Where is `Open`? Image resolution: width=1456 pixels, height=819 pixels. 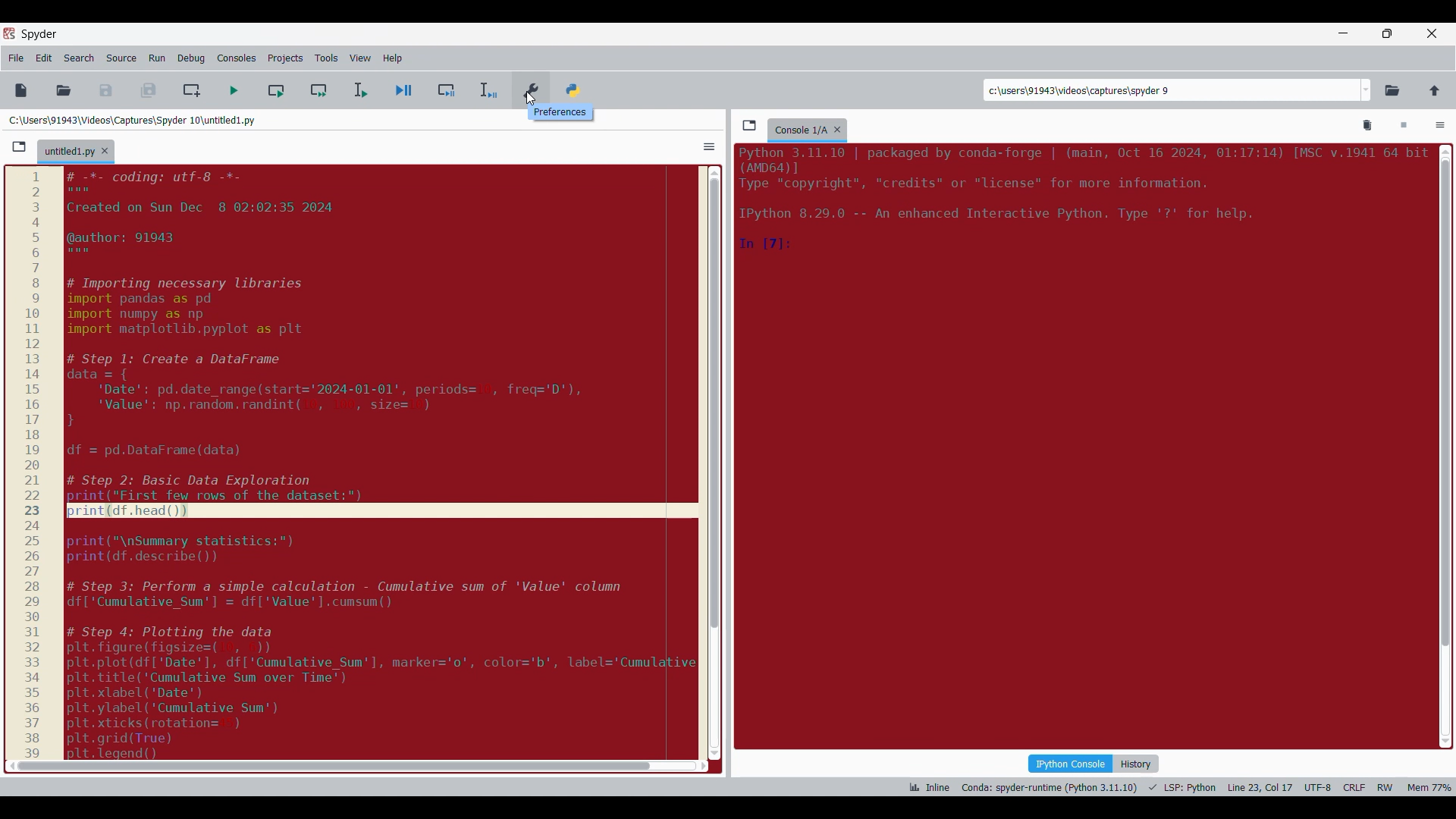 Open is located at coordinates (64, 90).